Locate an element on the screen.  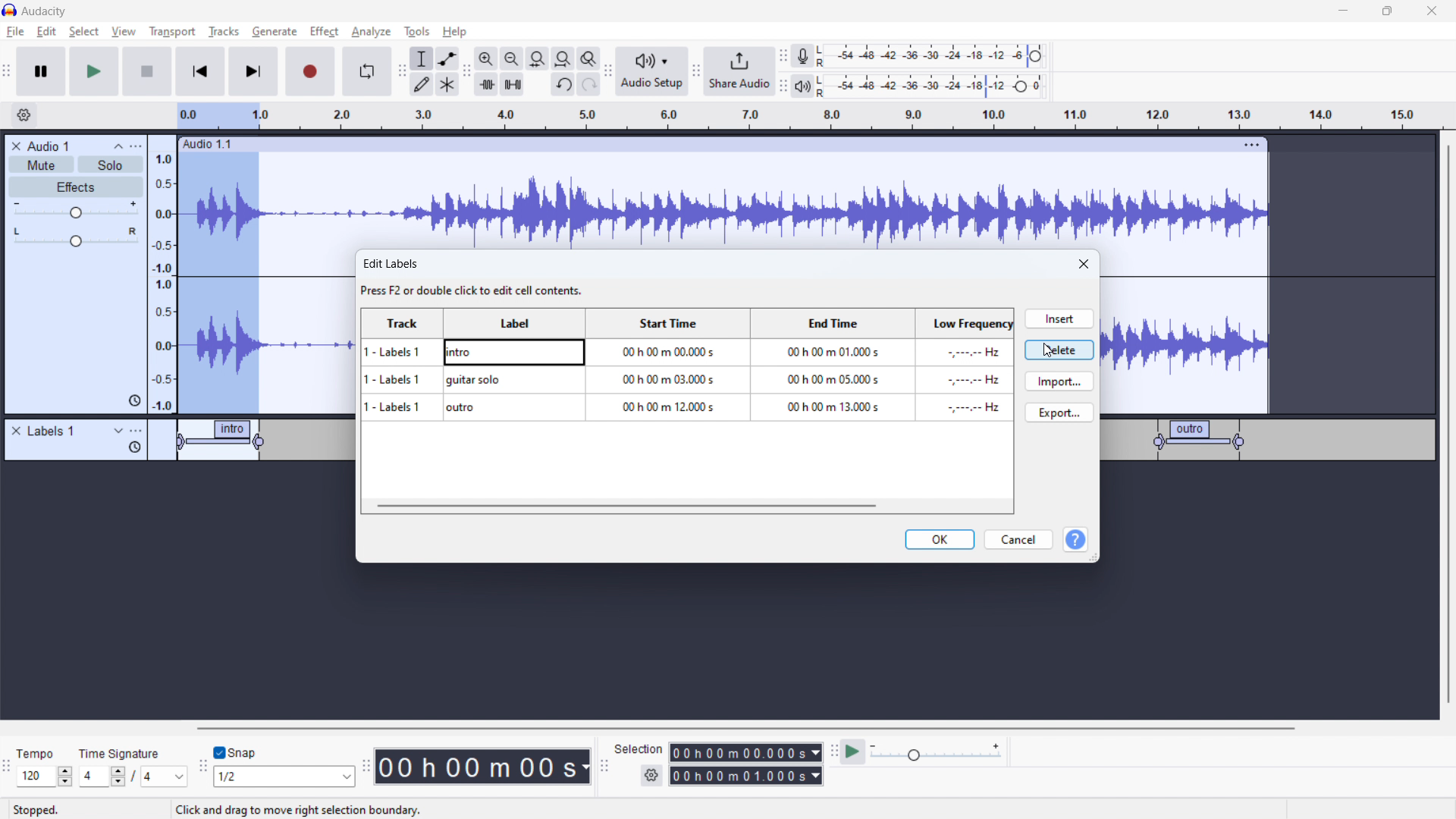
tempo is located at coordinates (45, 753).